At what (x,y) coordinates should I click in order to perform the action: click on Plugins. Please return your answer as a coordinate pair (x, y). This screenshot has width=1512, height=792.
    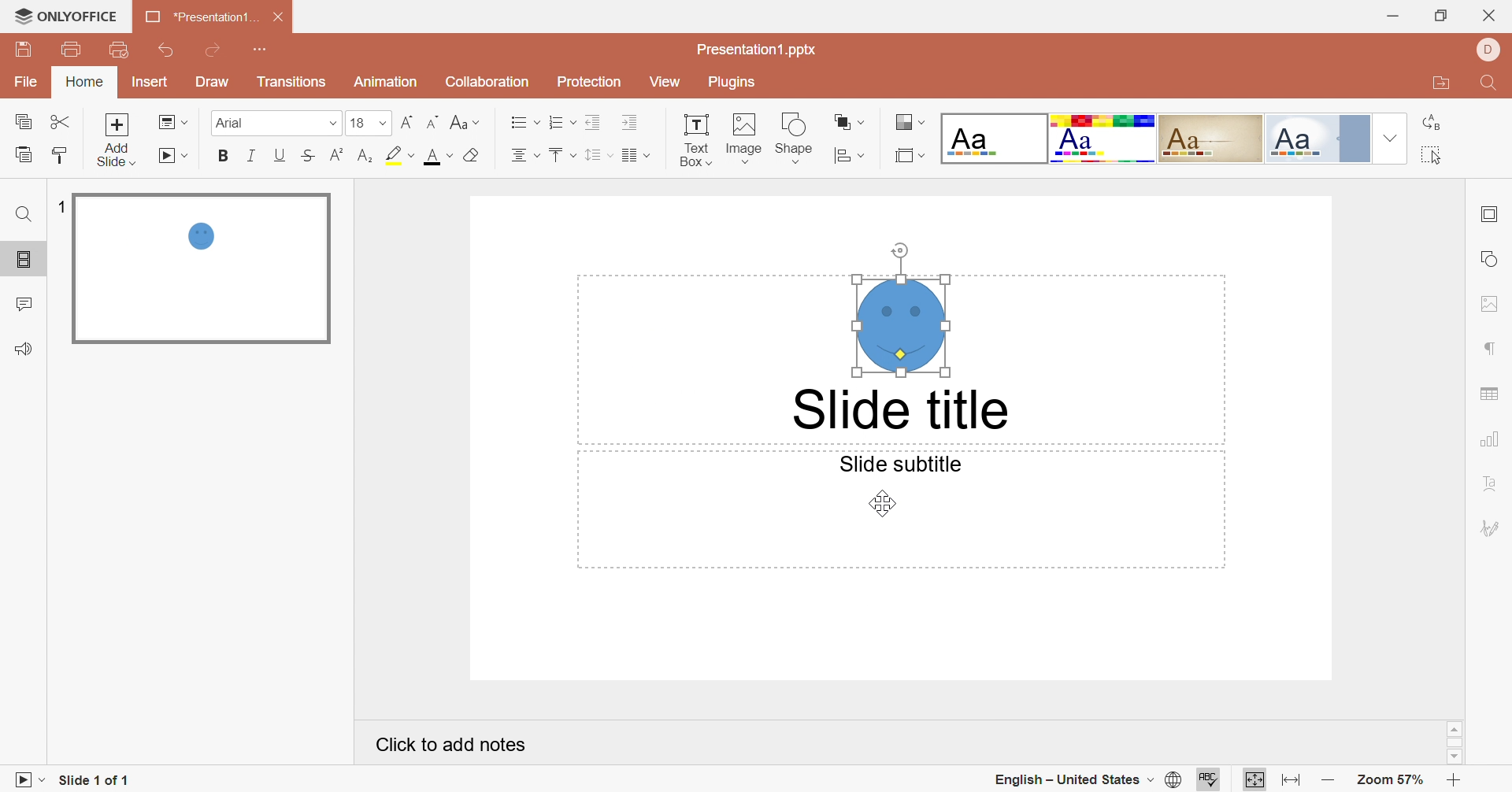
    Looking at the image, I should click on (728, 84).